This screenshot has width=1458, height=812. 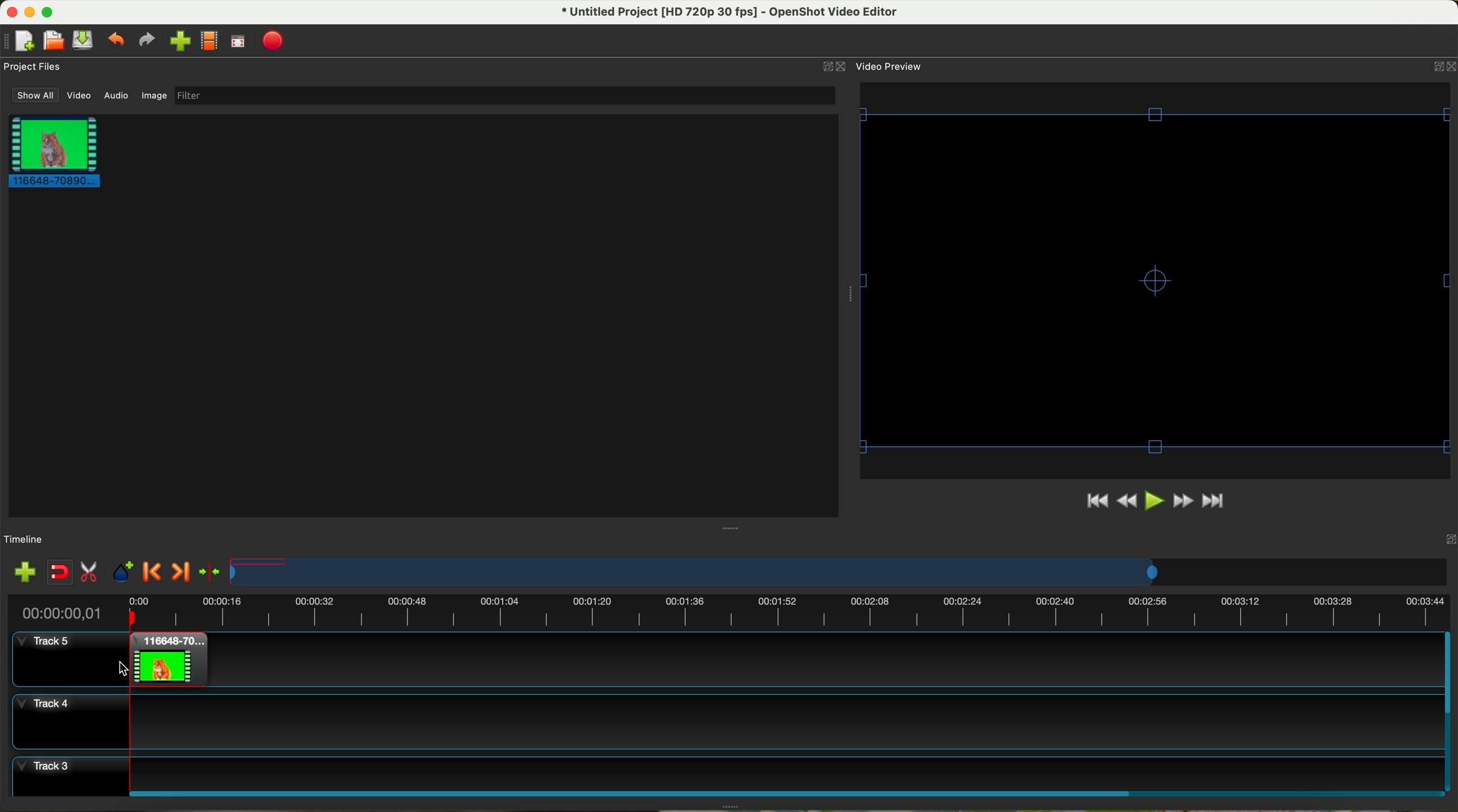 What do you see at coordinates (209, 41) in the screenshot?
I see `choose profile` at bounding box center [209, 41].